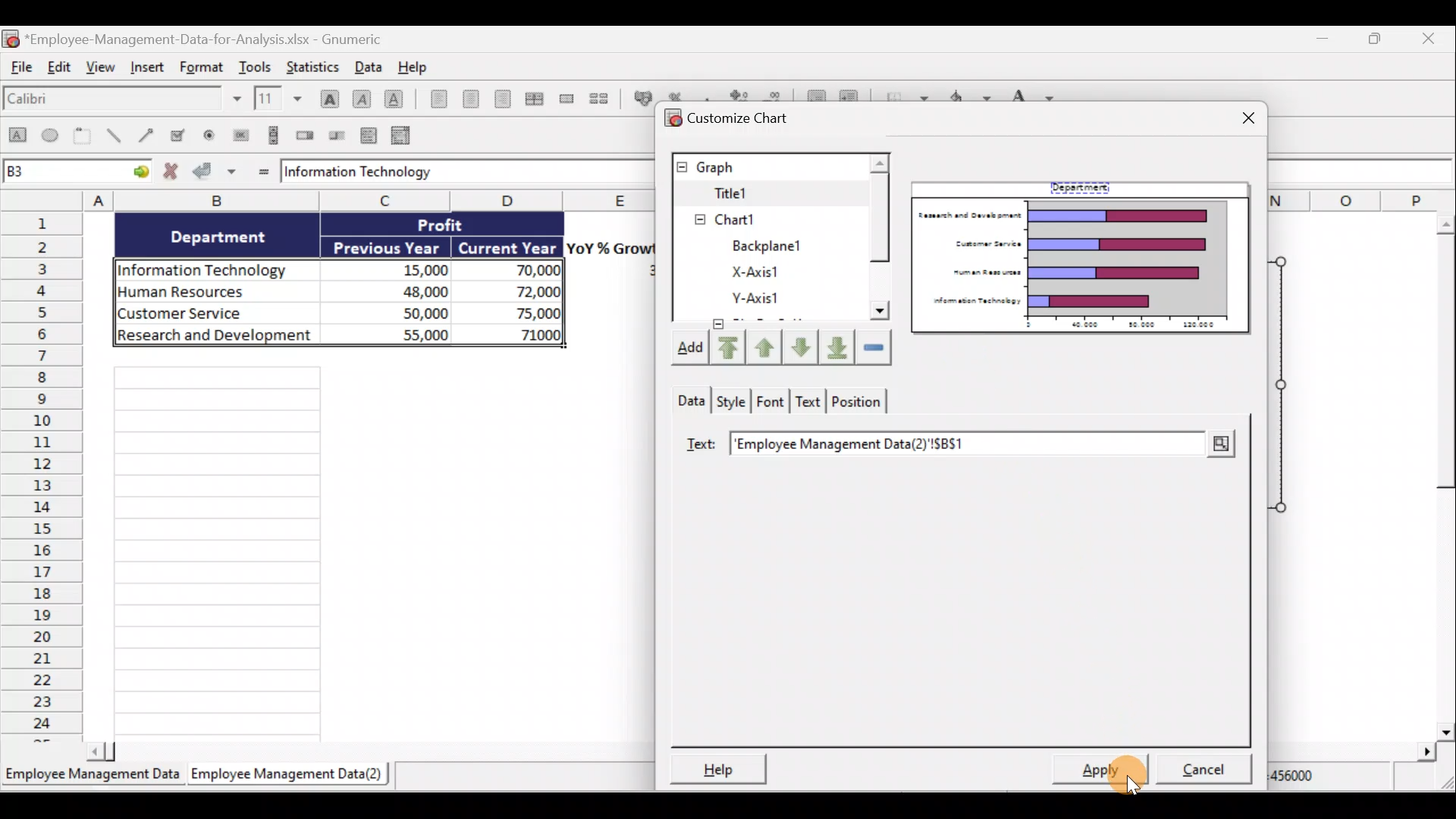 The height and width of the screenshot is (819, 1456). Describe the element at coordinates (502, 99) in the screenshot. I see `Align right` at that location.